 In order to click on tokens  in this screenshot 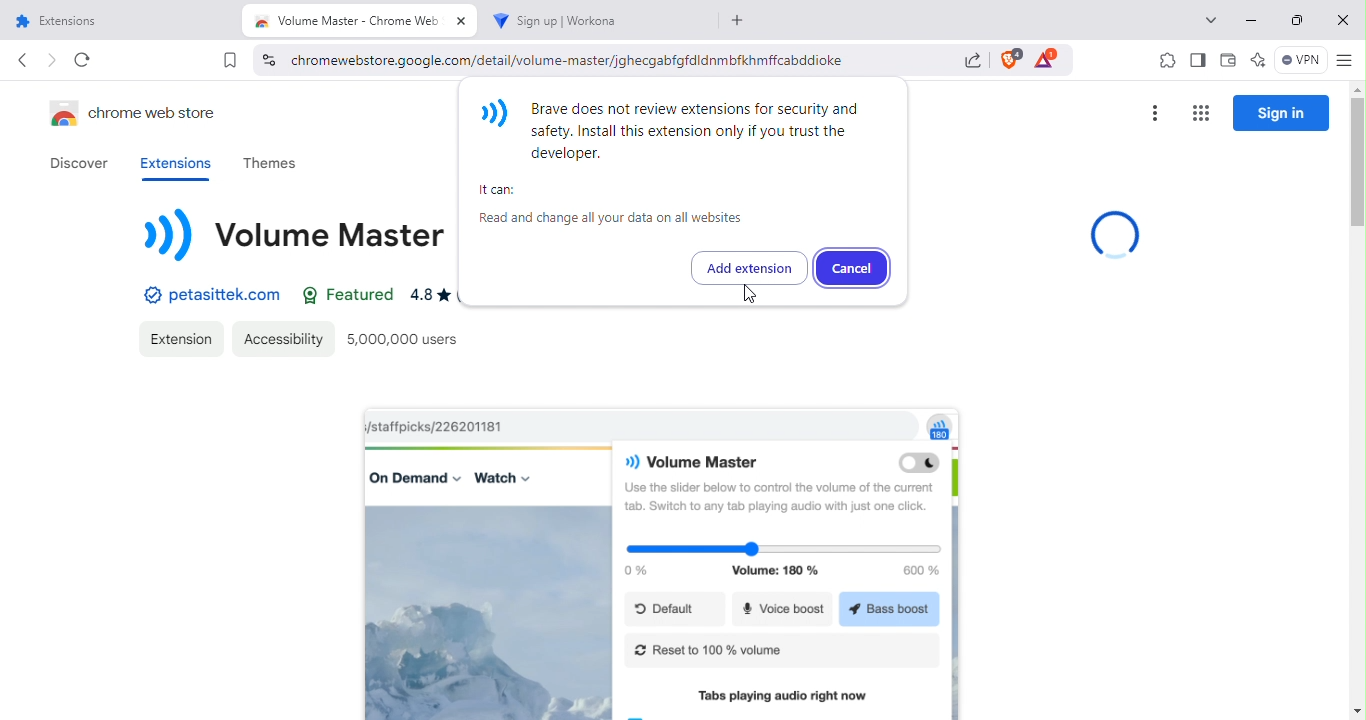, I will do `click(1050, 59)`.